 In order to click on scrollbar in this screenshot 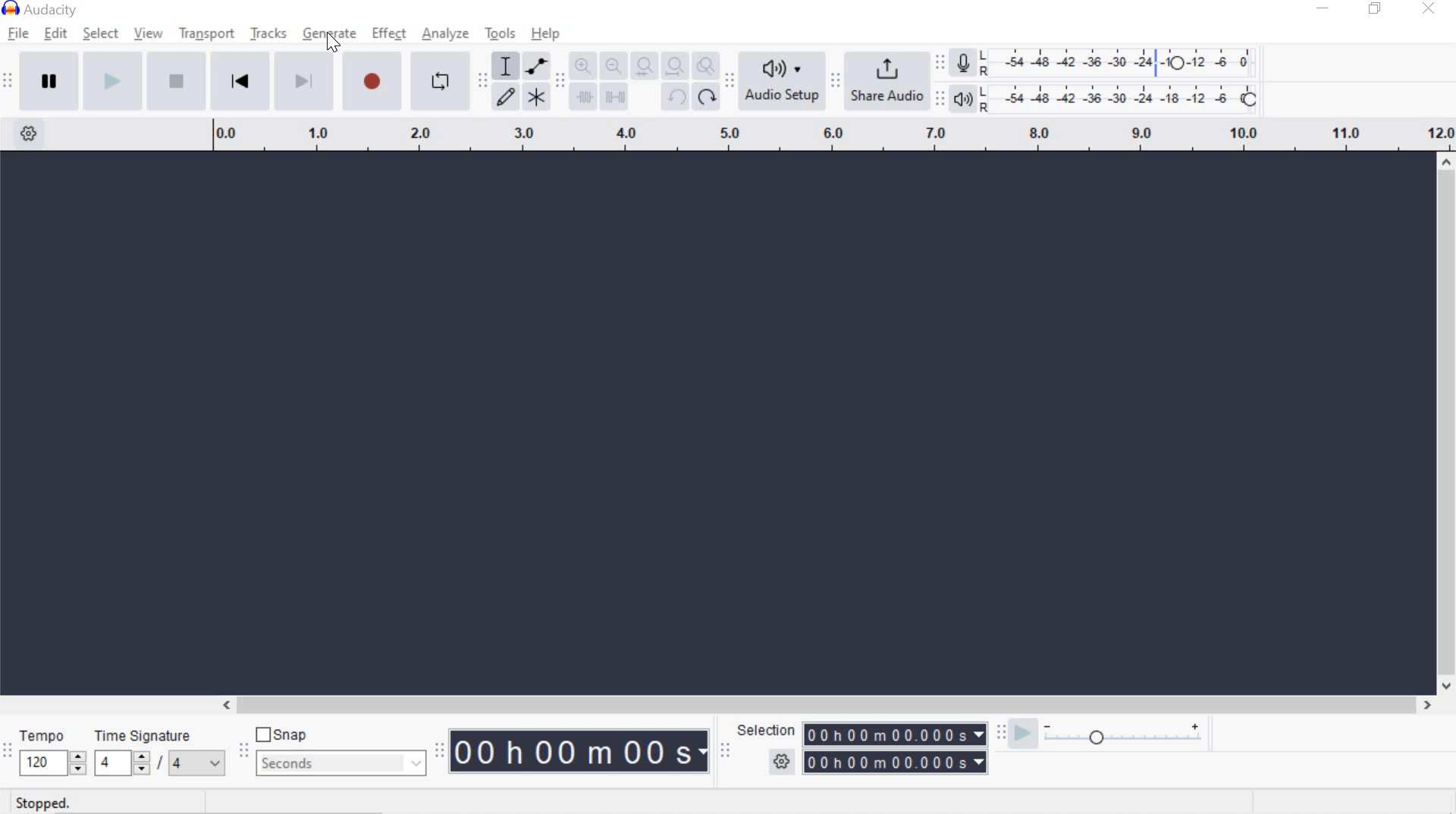, I will do `click(1443, 423)`.